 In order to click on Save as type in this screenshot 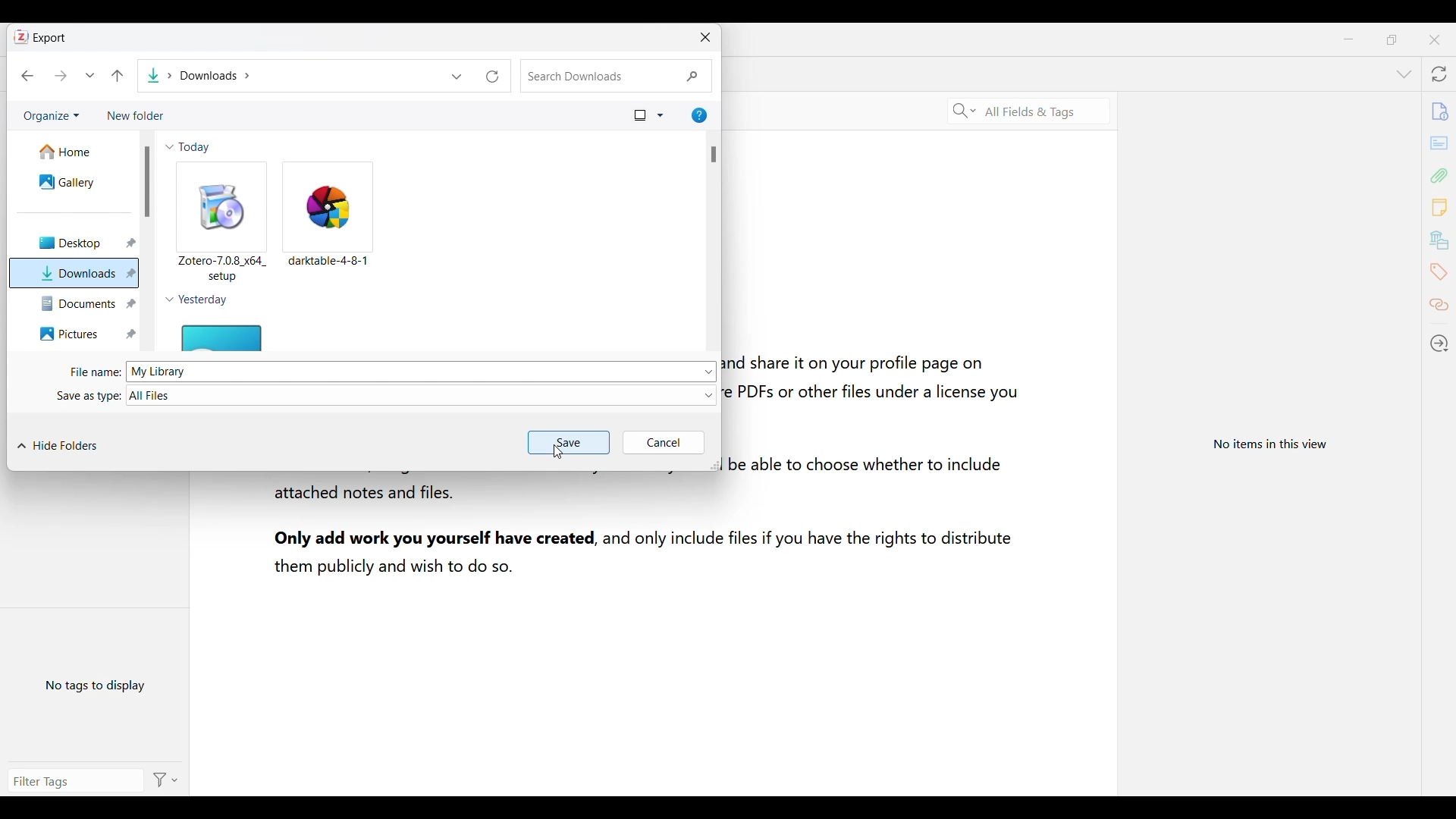, I will do `click(89, 399)`.